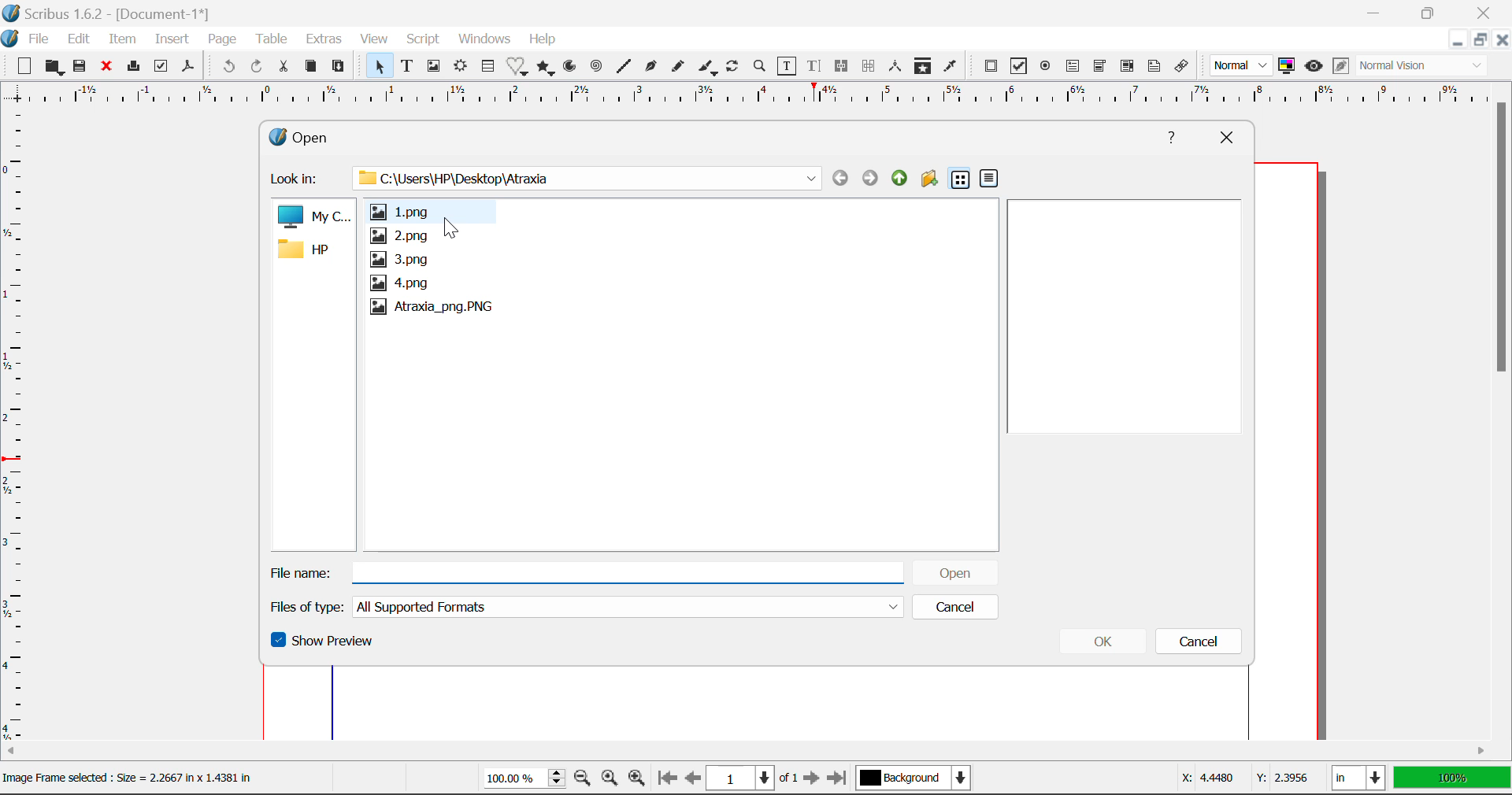 This screenshot has height=795, width=1512. What do you see at coordinates (1173, 135) in the screenshot?
I see `Help` at bounding box center [1173, 135].